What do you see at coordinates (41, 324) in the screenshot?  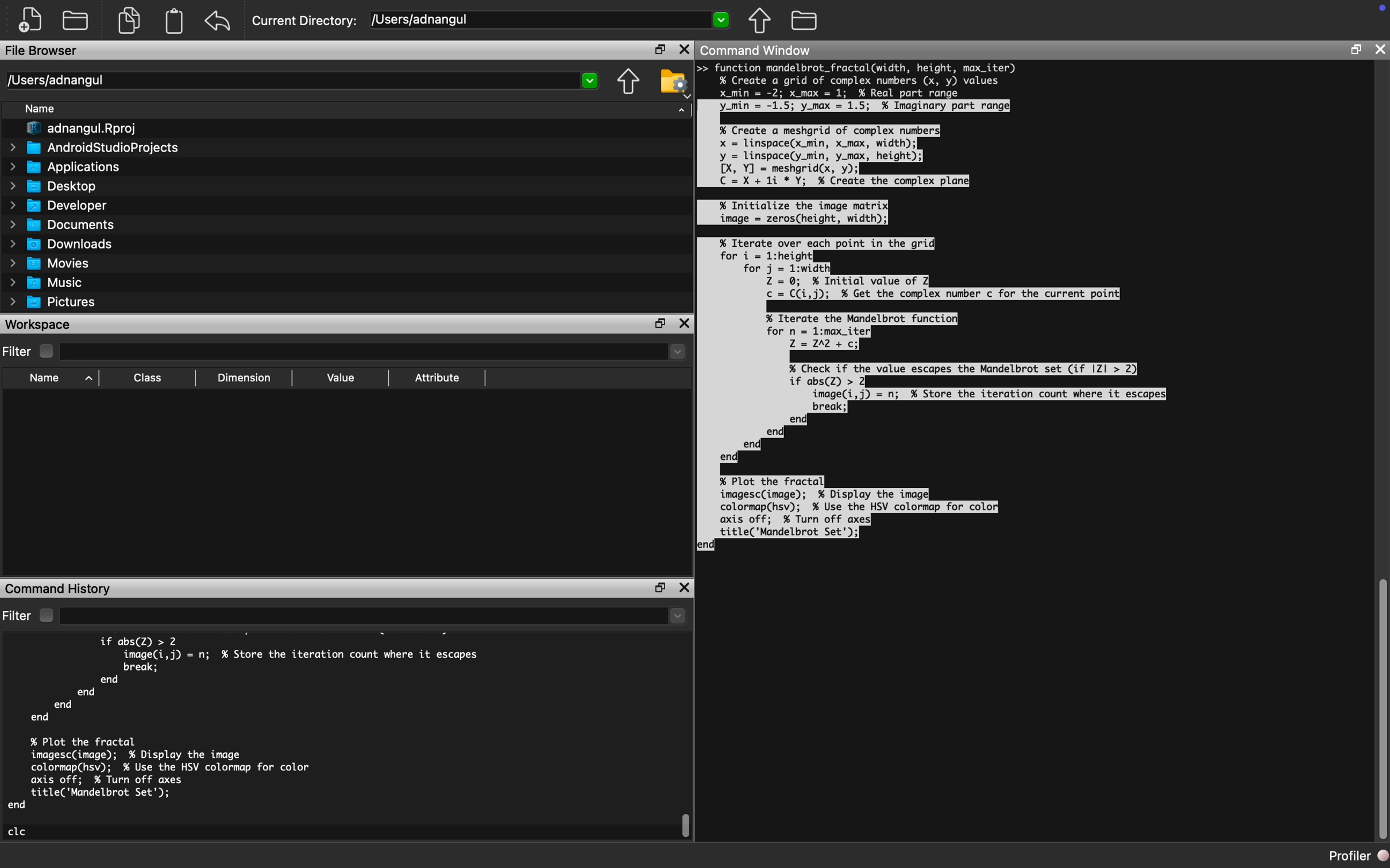 I see `Workspace` at bounding box center [41, 324].